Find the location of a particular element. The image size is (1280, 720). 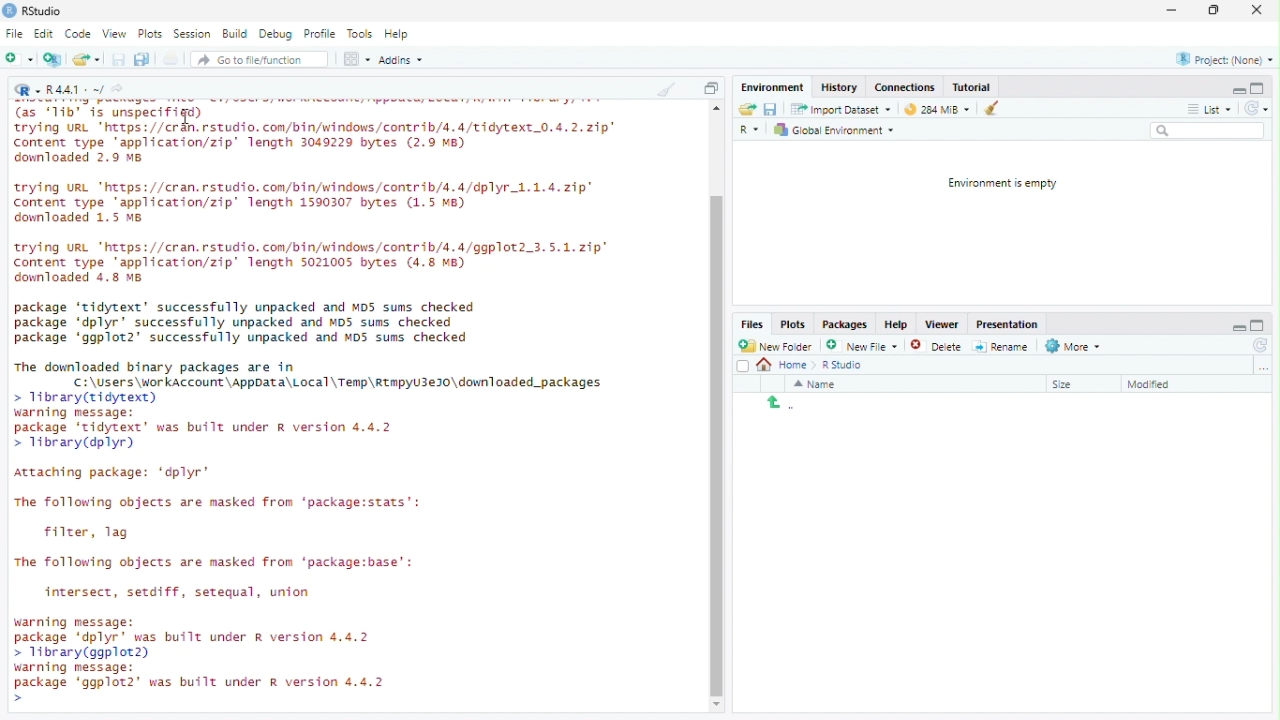

R Studio is located at coordinates (844, 366).